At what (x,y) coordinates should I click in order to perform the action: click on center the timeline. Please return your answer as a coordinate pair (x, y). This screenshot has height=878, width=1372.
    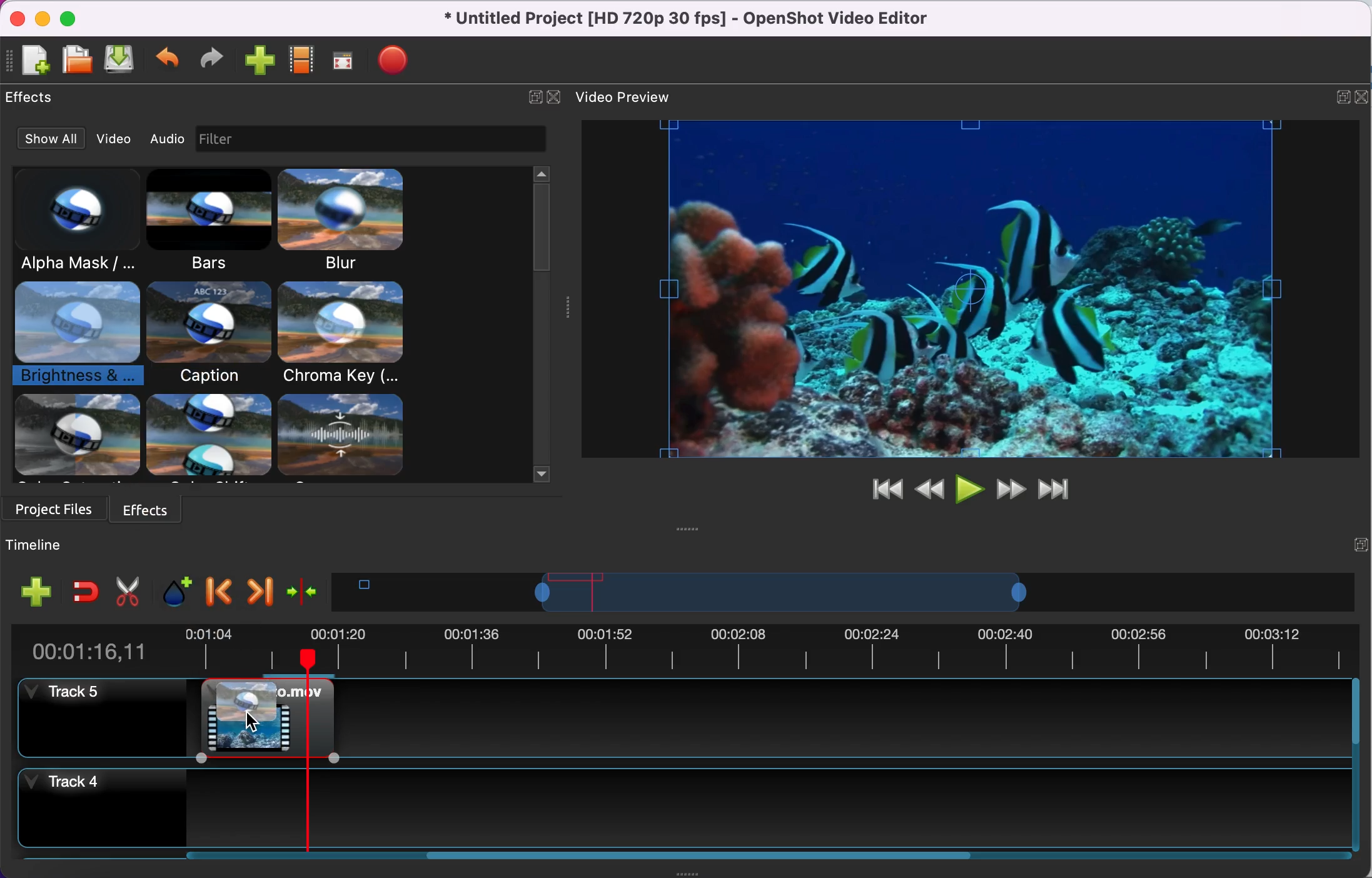
    Looking at the image, I should click on (303, 590).